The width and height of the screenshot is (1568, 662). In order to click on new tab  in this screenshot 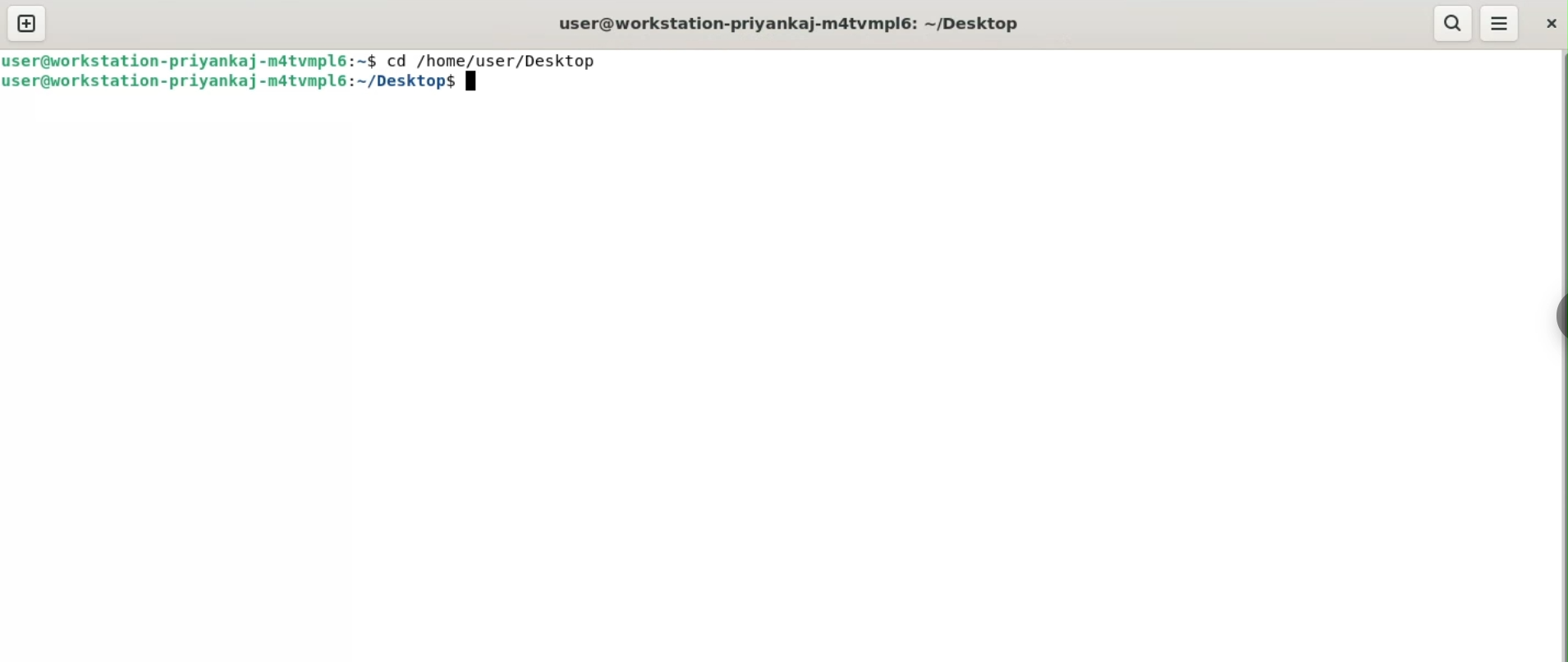, I will do `click(27, 23)`.